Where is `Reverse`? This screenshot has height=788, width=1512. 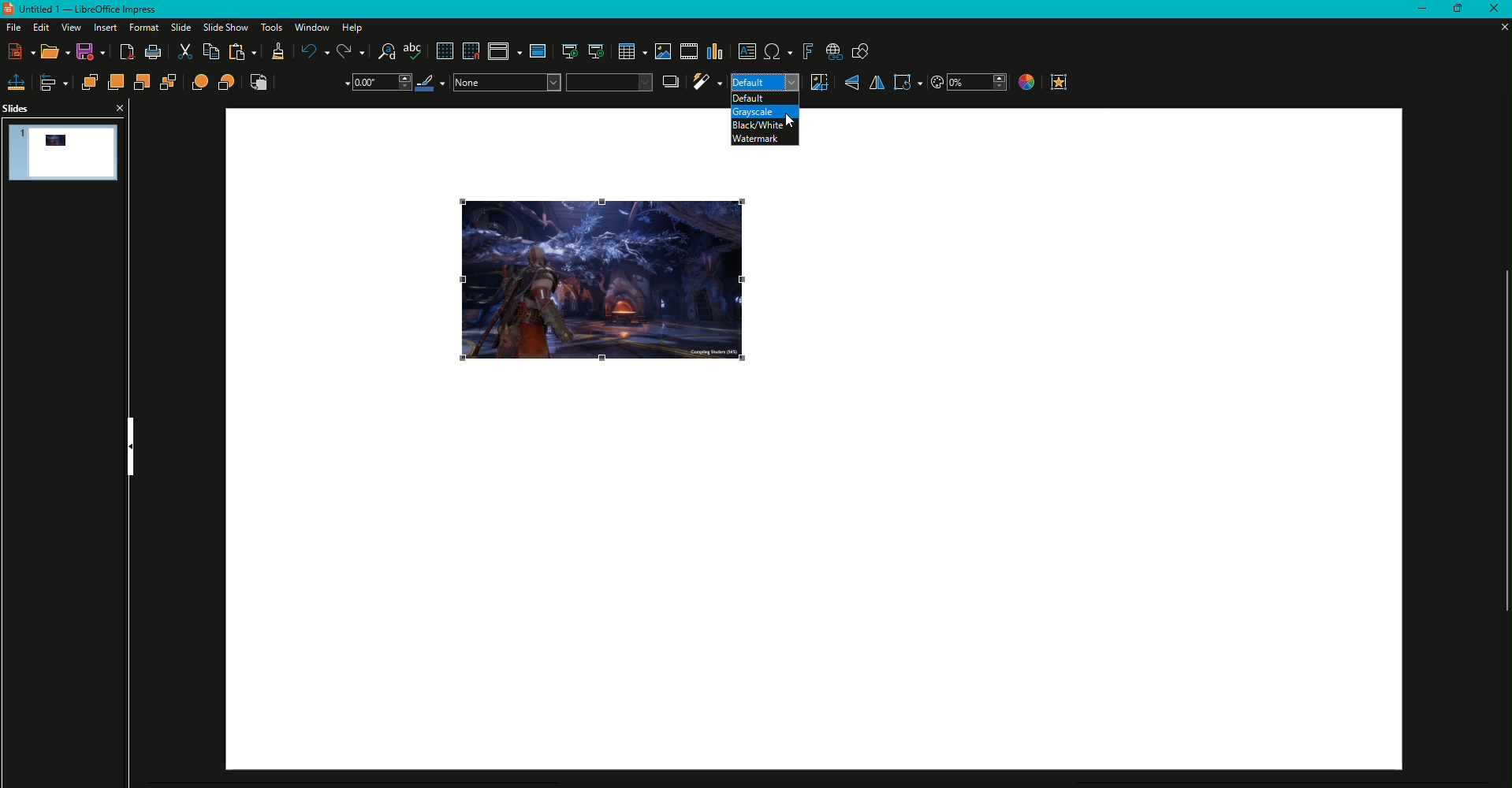 Reverse is located at coordinates (259, 83).